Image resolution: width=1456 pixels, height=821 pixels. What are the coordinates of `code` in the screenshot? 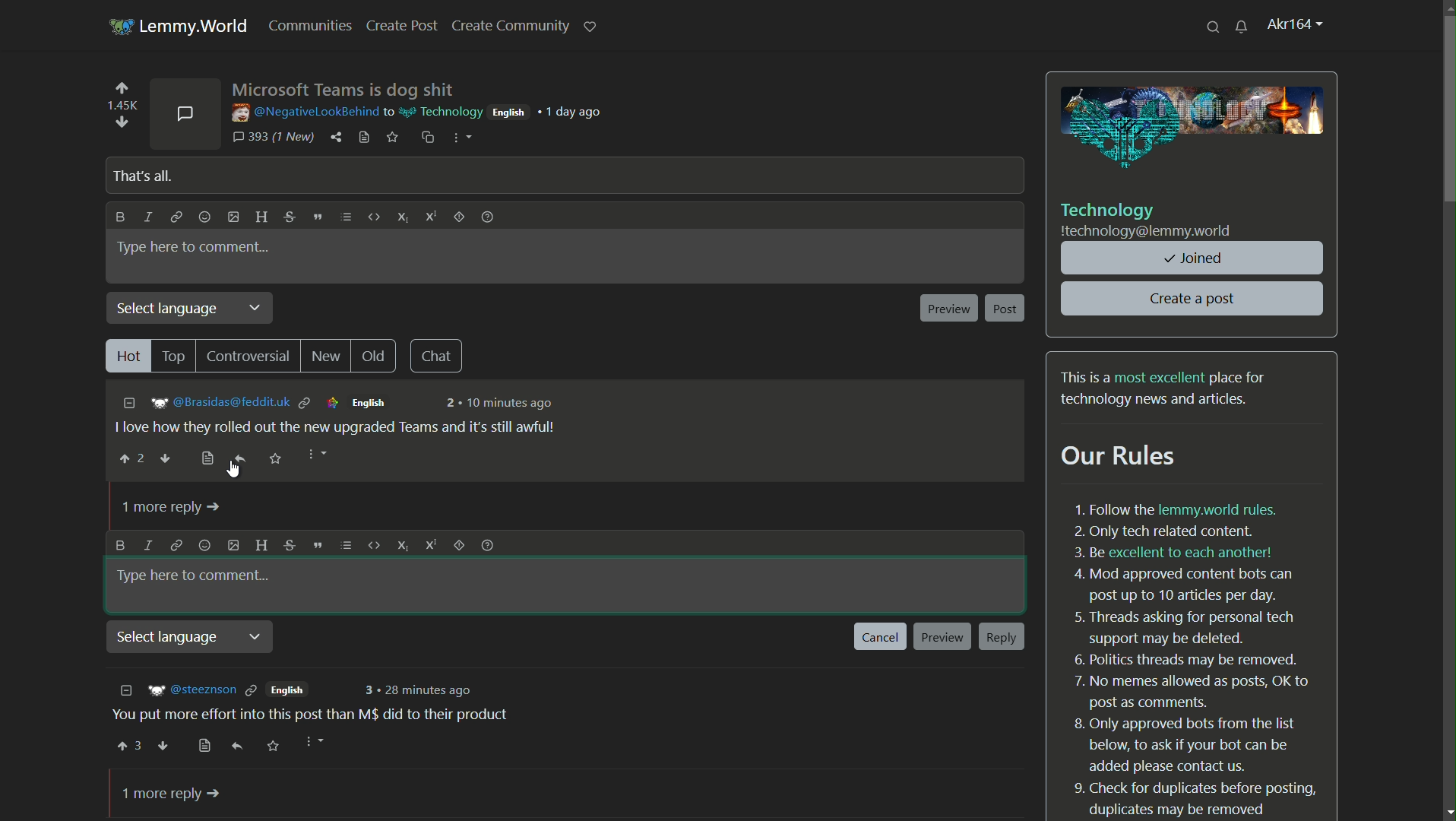 It's located at (372, 545).